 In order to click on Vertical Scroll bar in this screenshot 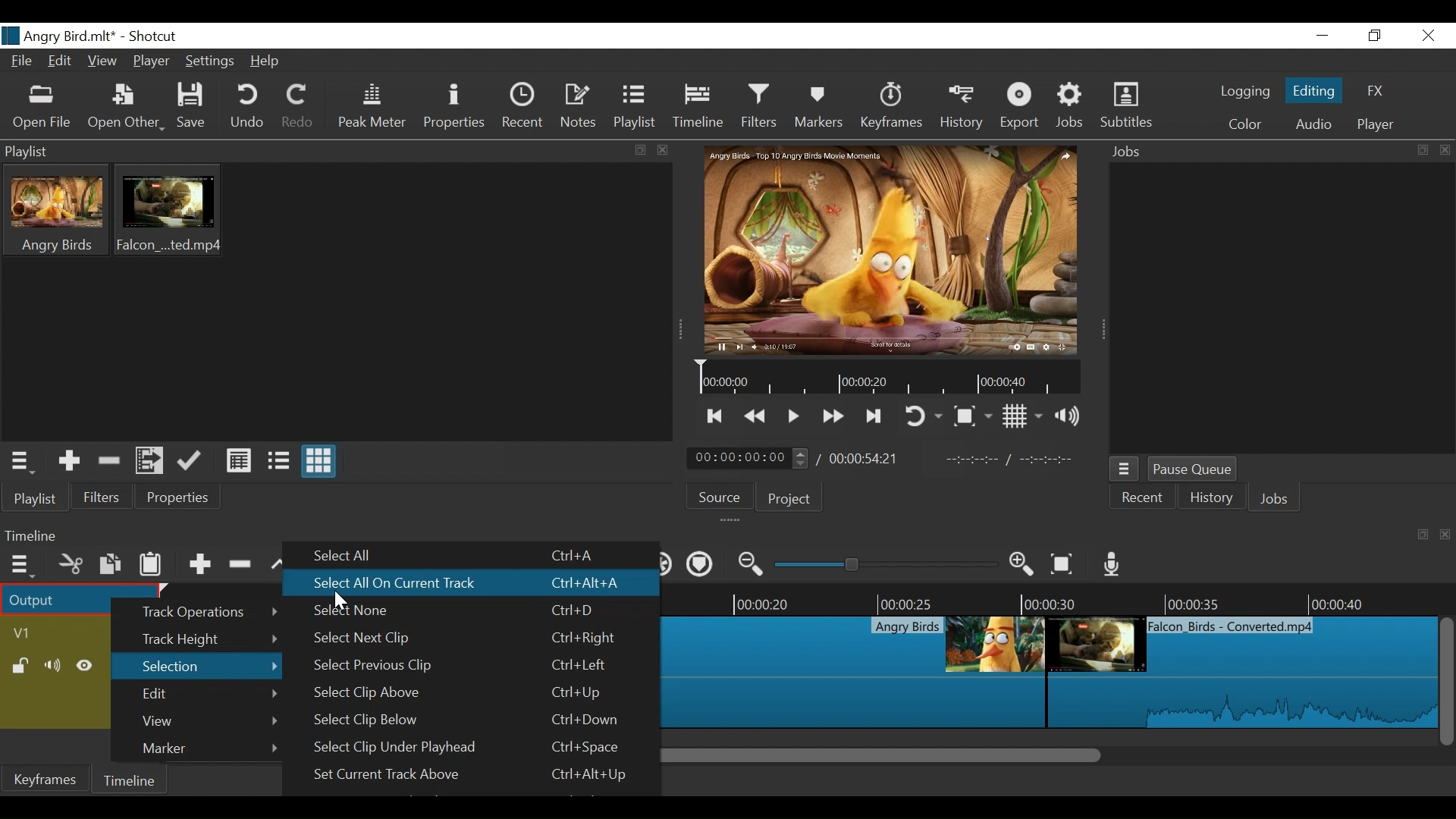, I will do `click(1447, 683)`.